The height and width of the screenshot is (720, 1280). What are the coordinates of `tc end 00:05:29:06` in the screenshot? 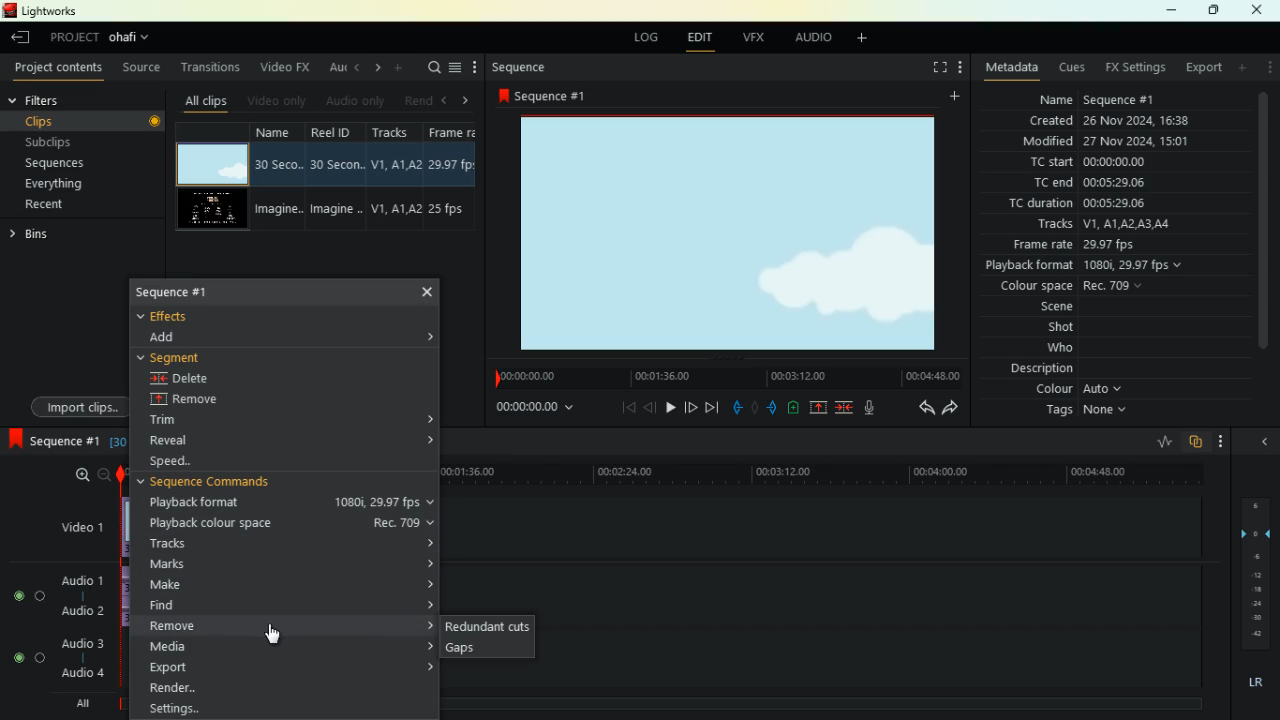 It's located at (1093, 182).